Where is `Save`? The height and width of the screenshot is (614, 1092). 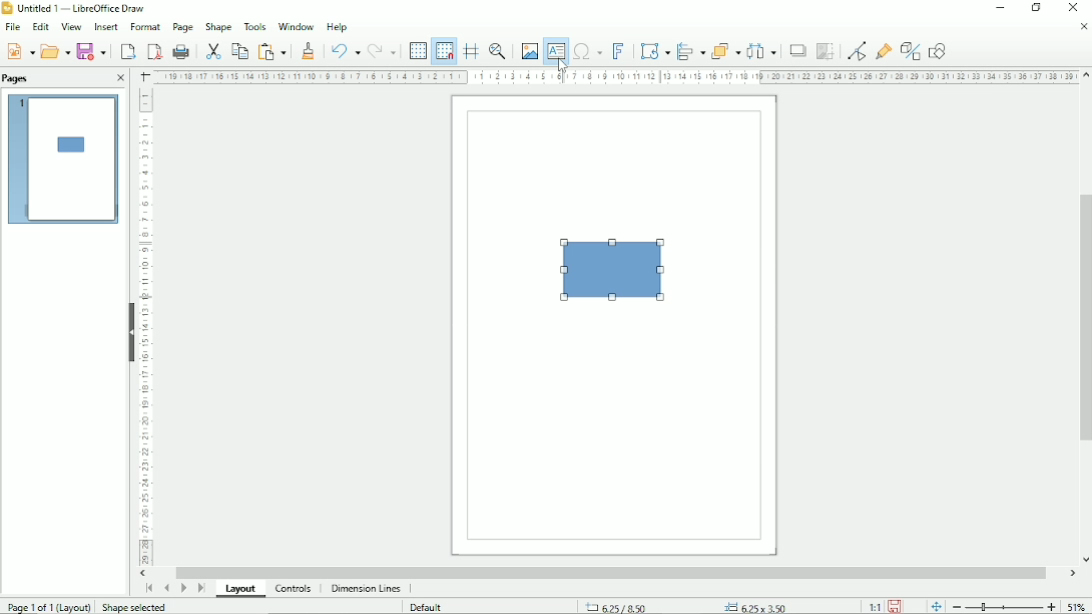
Save is located at coordinates (895, 607).